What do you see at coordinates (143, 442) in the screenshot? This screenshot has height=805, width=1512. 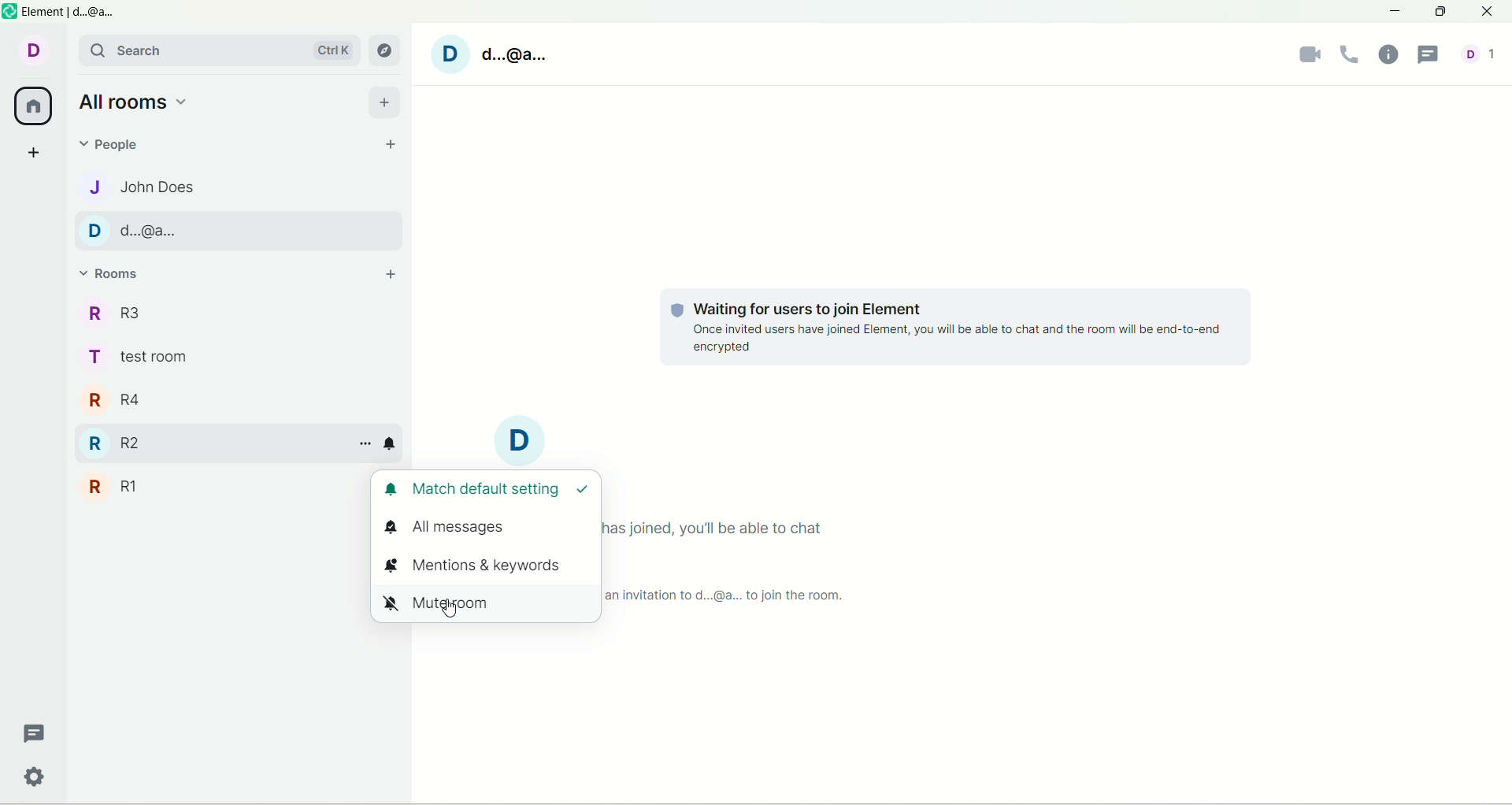 I see `room 2 ` at bounding box center [143, 442].